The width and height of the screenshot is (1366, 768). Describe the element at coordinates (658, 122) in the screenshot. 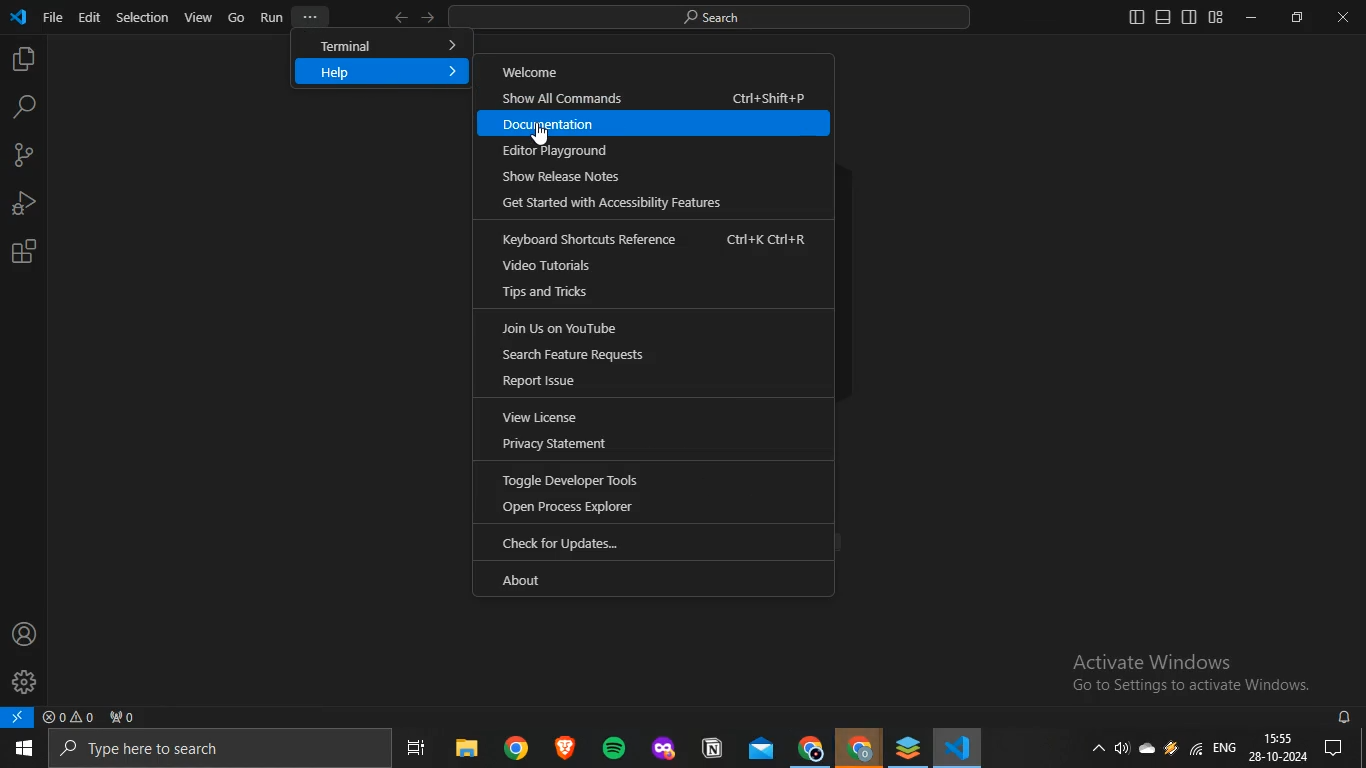

I see `Docuipentation` at that location.